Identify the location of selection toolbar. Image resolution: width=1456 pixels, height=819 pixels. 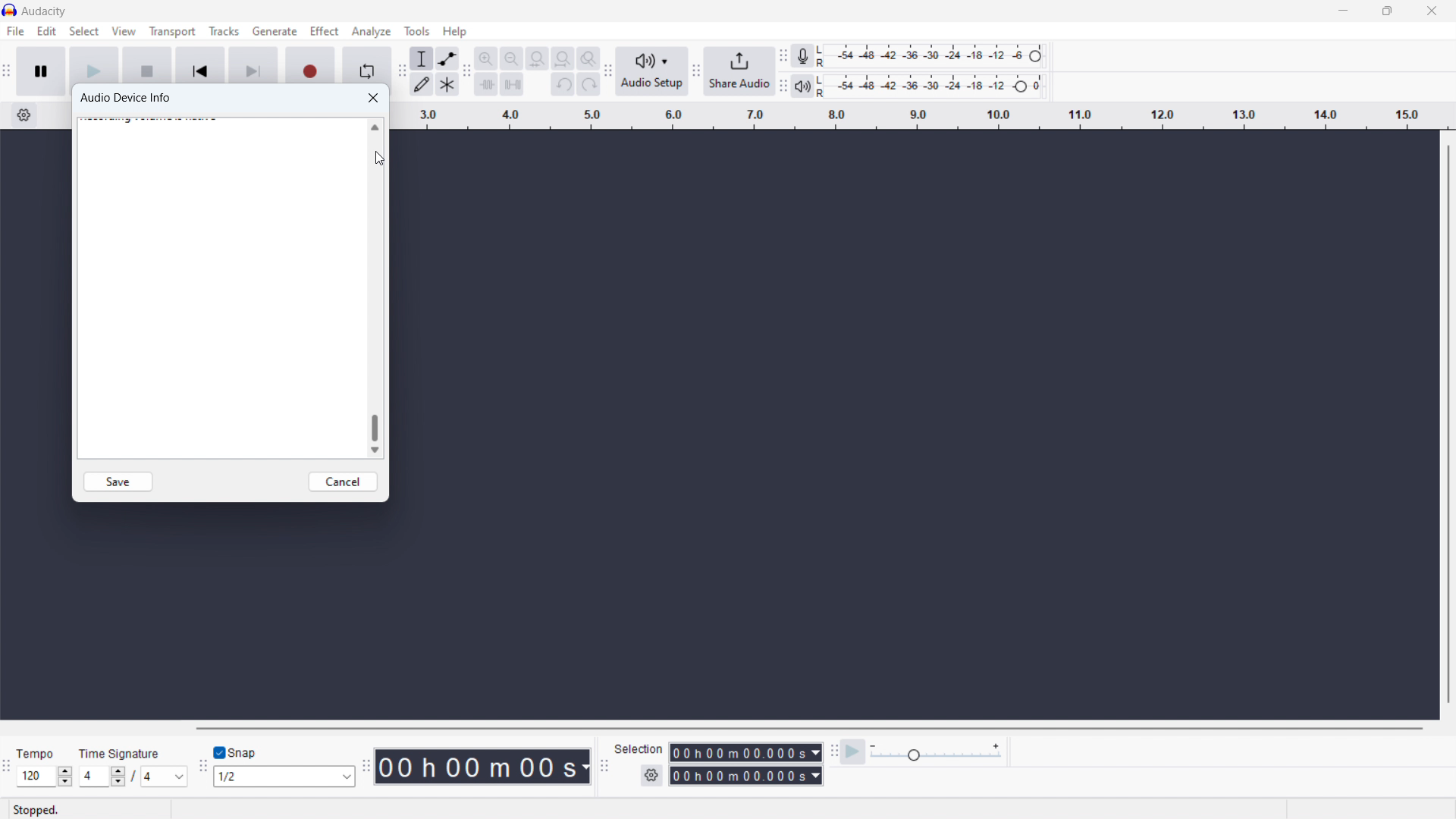
(606, 766).